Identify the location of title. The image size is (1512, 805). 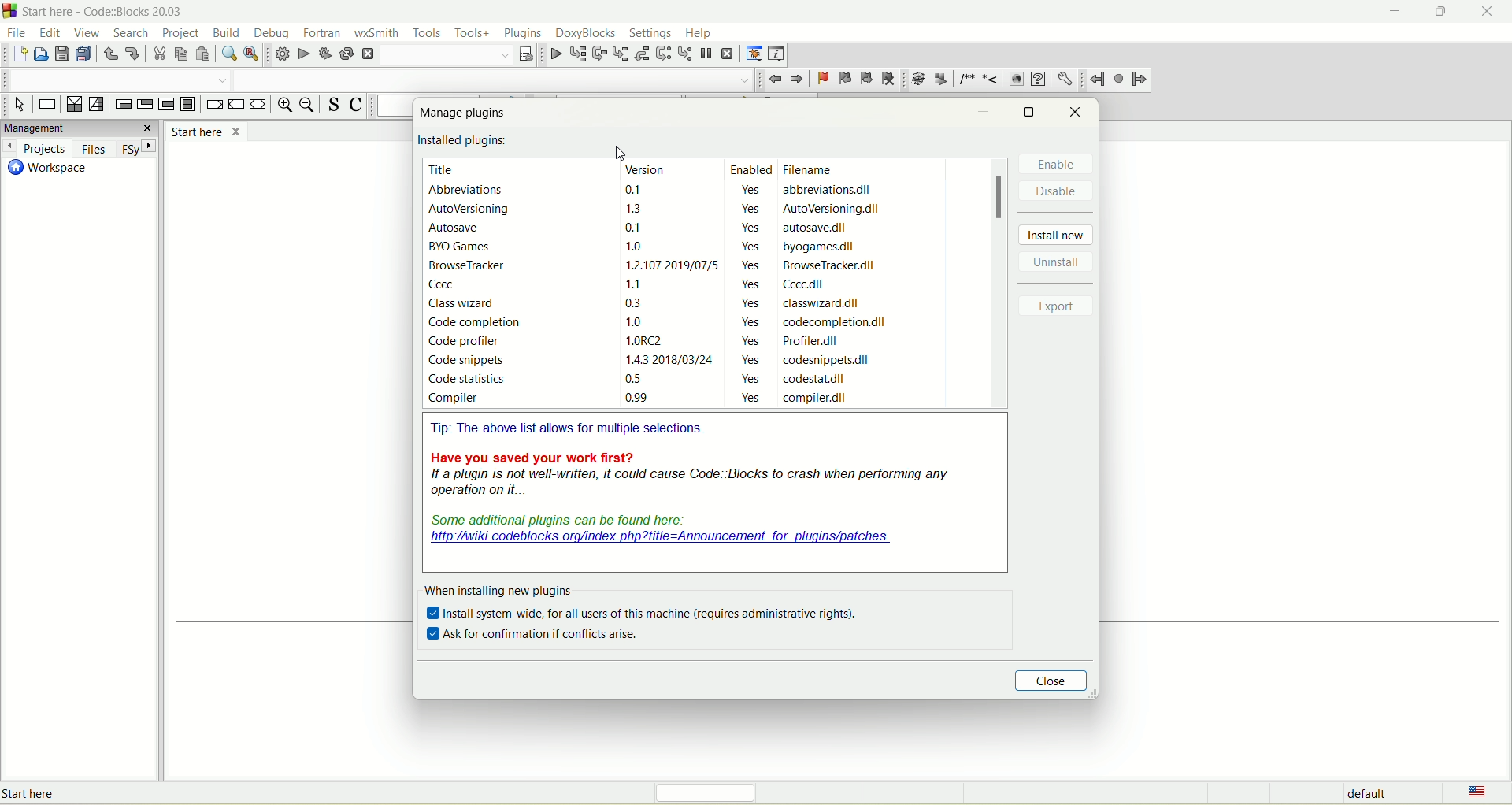
(445, 169).